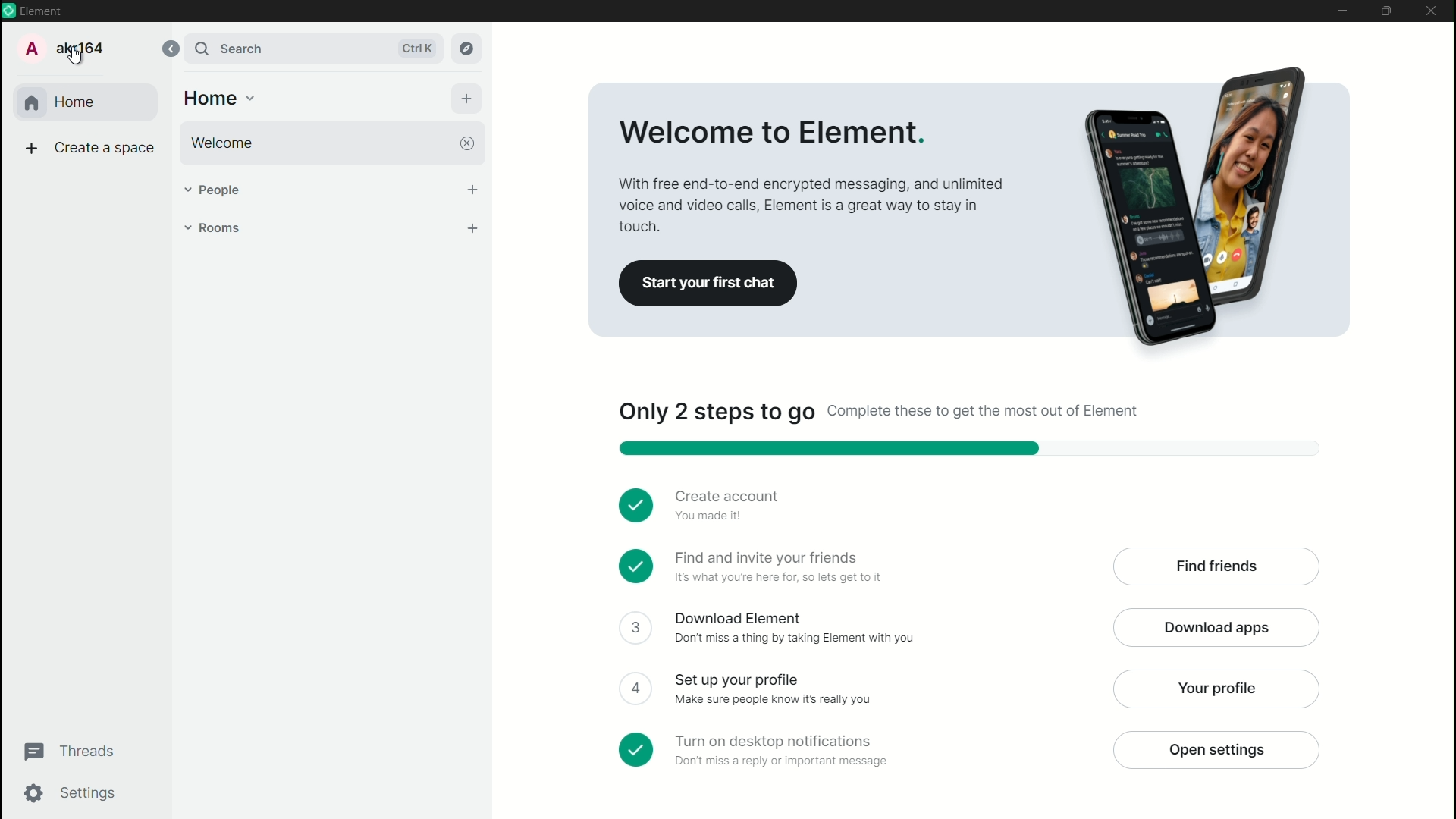 This screenshot has width=1456, height=819. I want to click on home options, so click(221, 98).